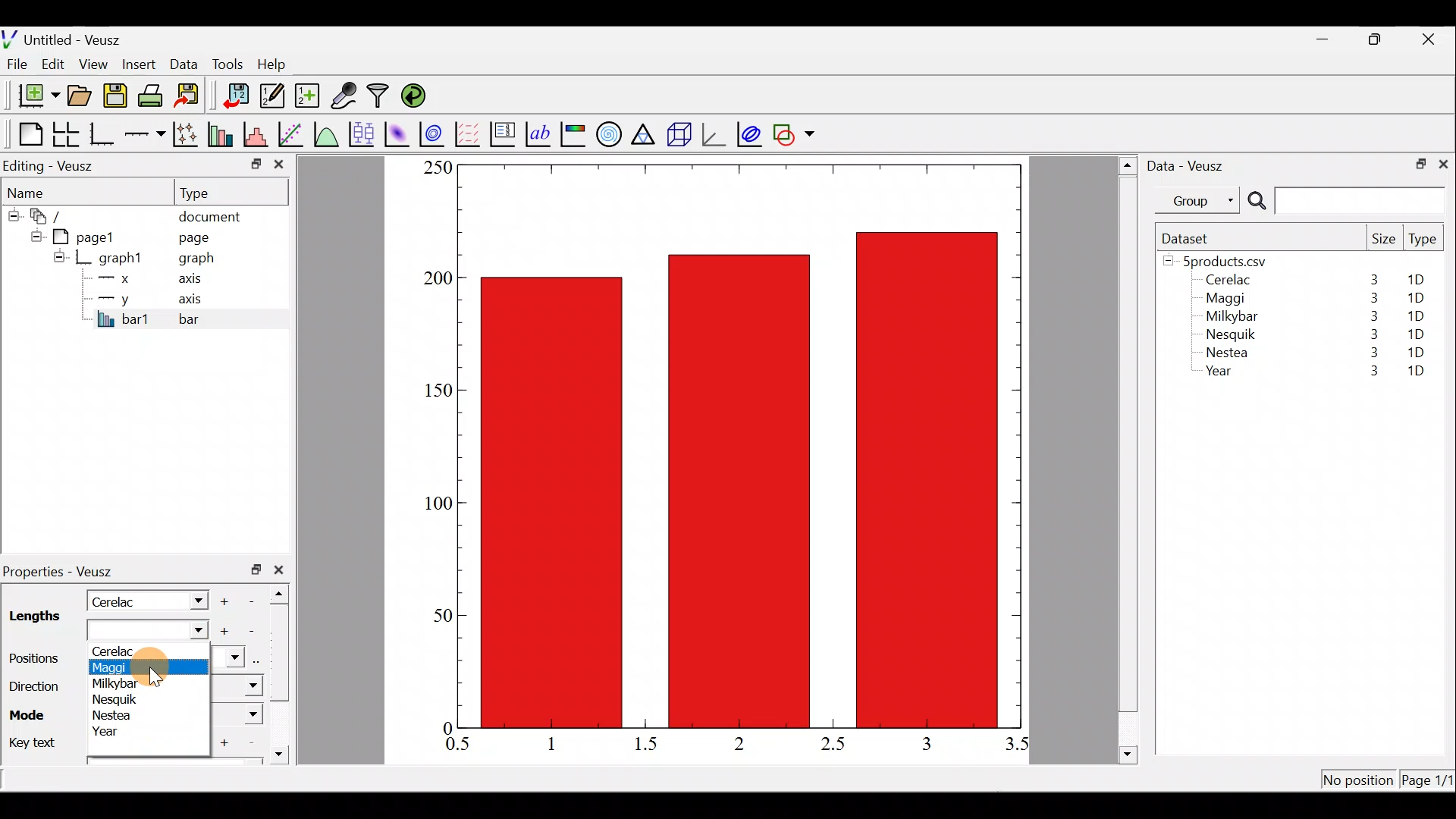 Image resolution: width=1456 pixels, height=819 pixels. I want to click on Page 1/11, so click(1429, 783).